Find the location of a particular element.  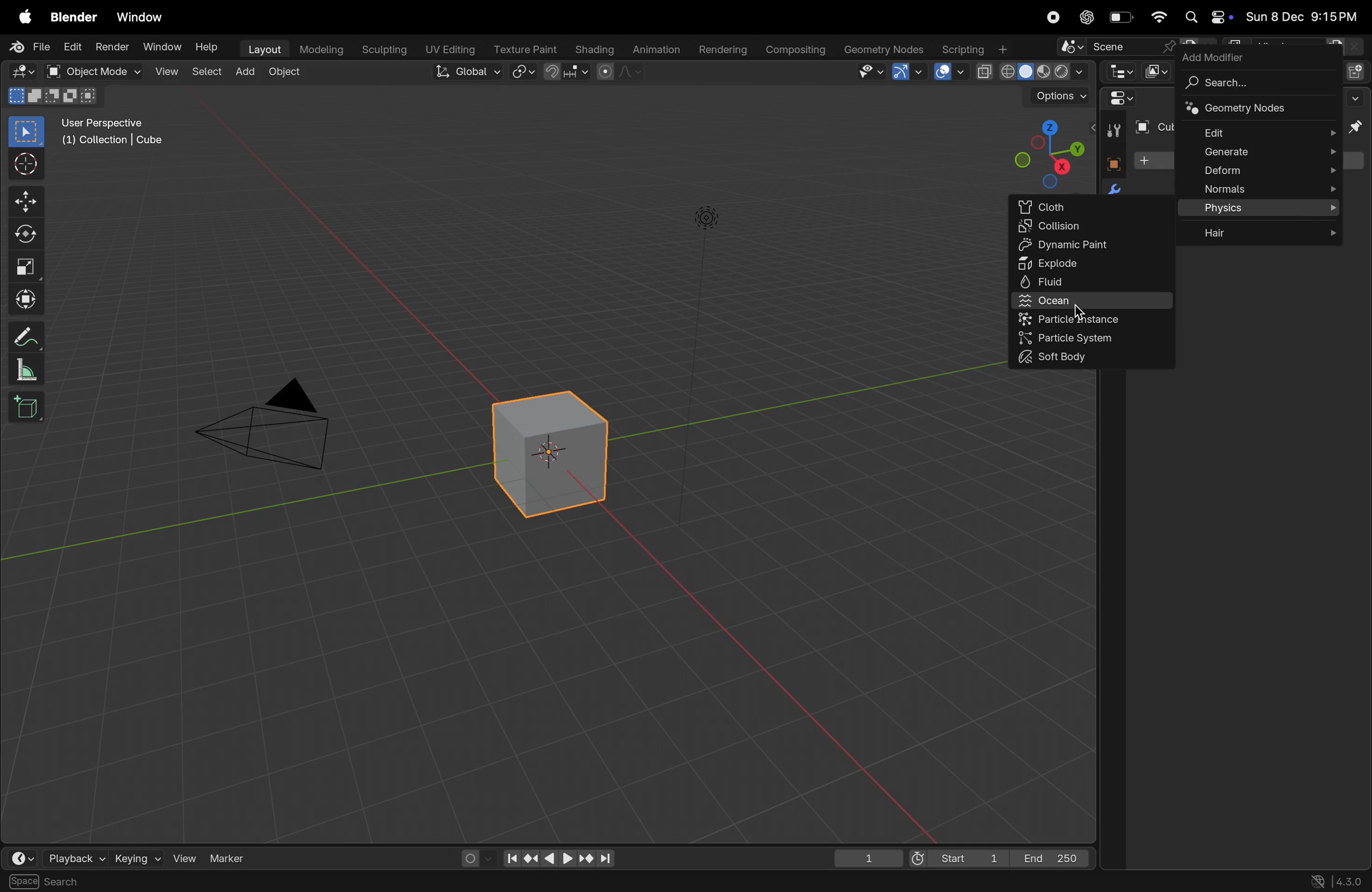

view is located at coordinates (183, 856).